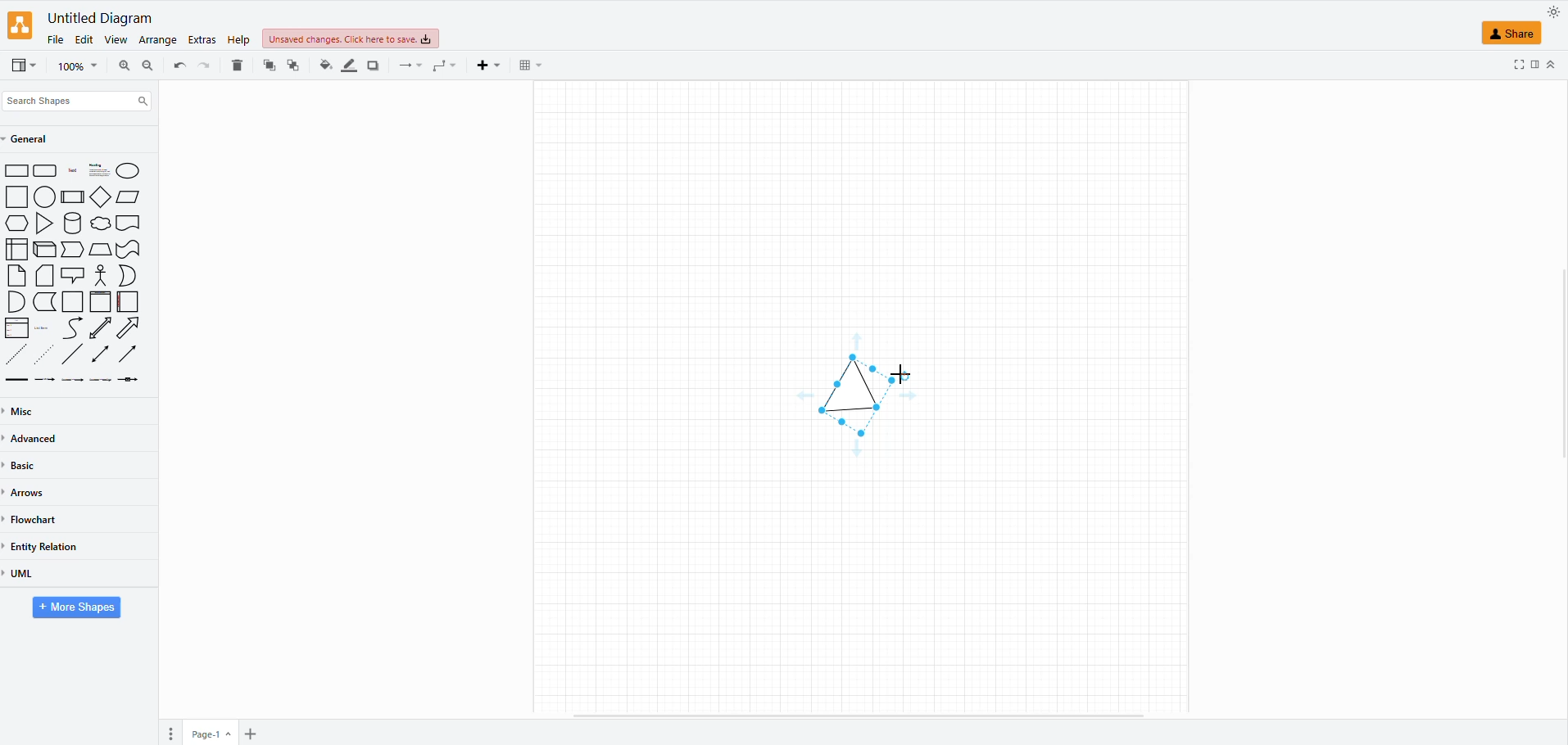 The height and width of the screenshot is (745, 1568). Describe the element at coordinates (74, 196) in the screenshot. I see `Box with borders` at that location.